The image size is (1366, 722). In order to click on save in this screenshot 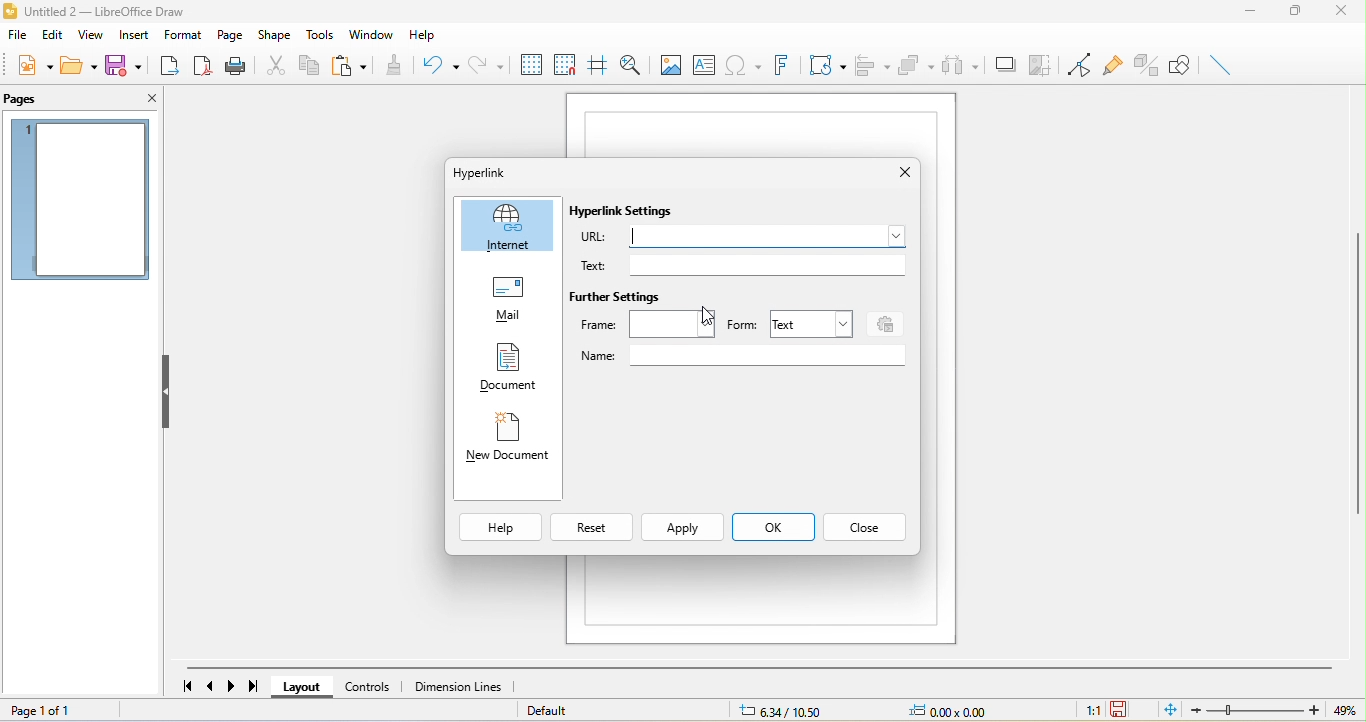, I will do `click(128, 65)`.